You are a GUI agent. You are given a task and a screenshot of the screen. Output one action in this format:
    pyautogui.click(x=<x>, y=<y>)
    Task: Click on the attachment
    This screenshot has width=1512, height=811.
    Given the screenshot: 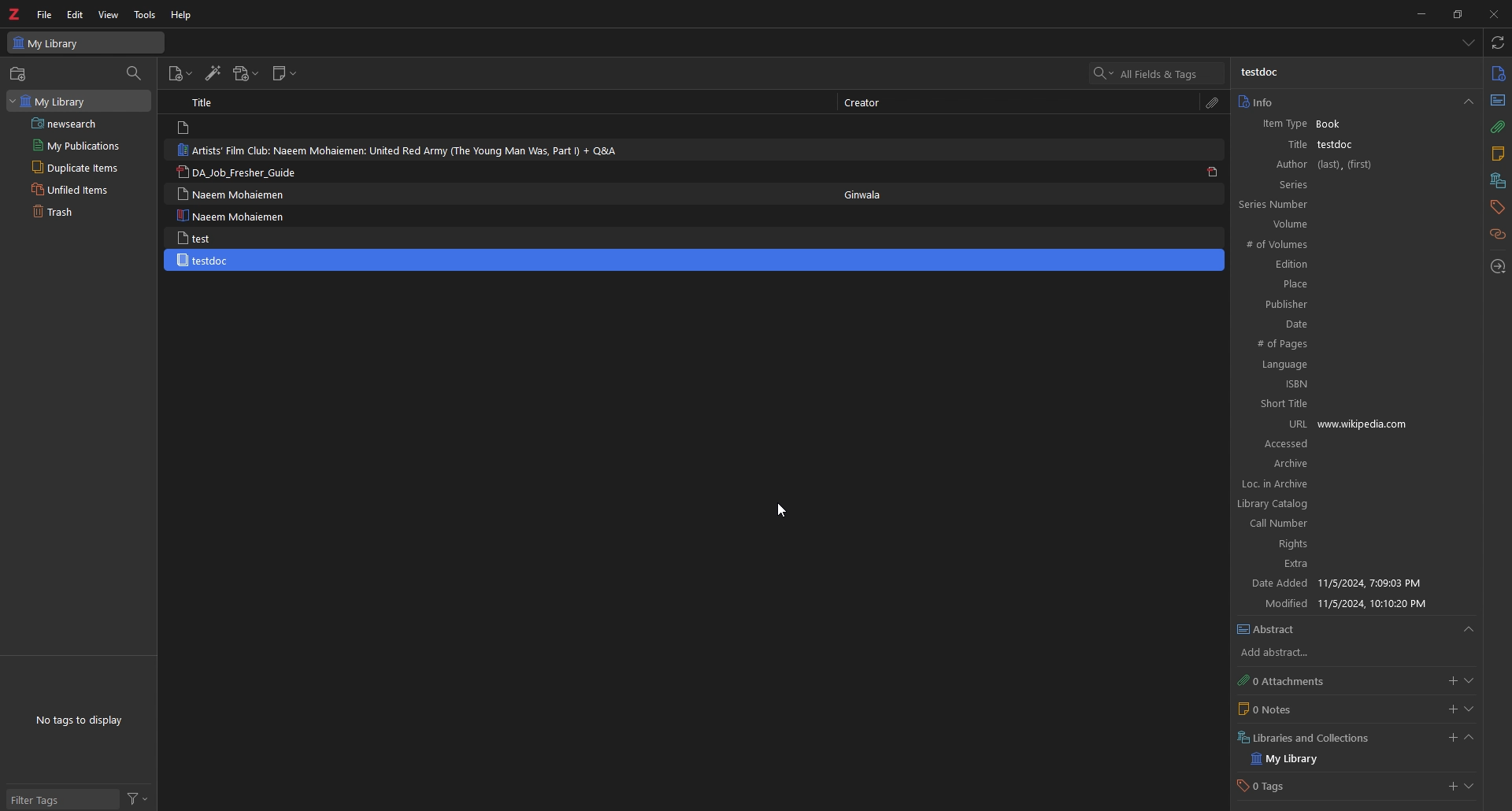 What is the action you would take?
    pyautogui.click(x=1213, y=104)
    